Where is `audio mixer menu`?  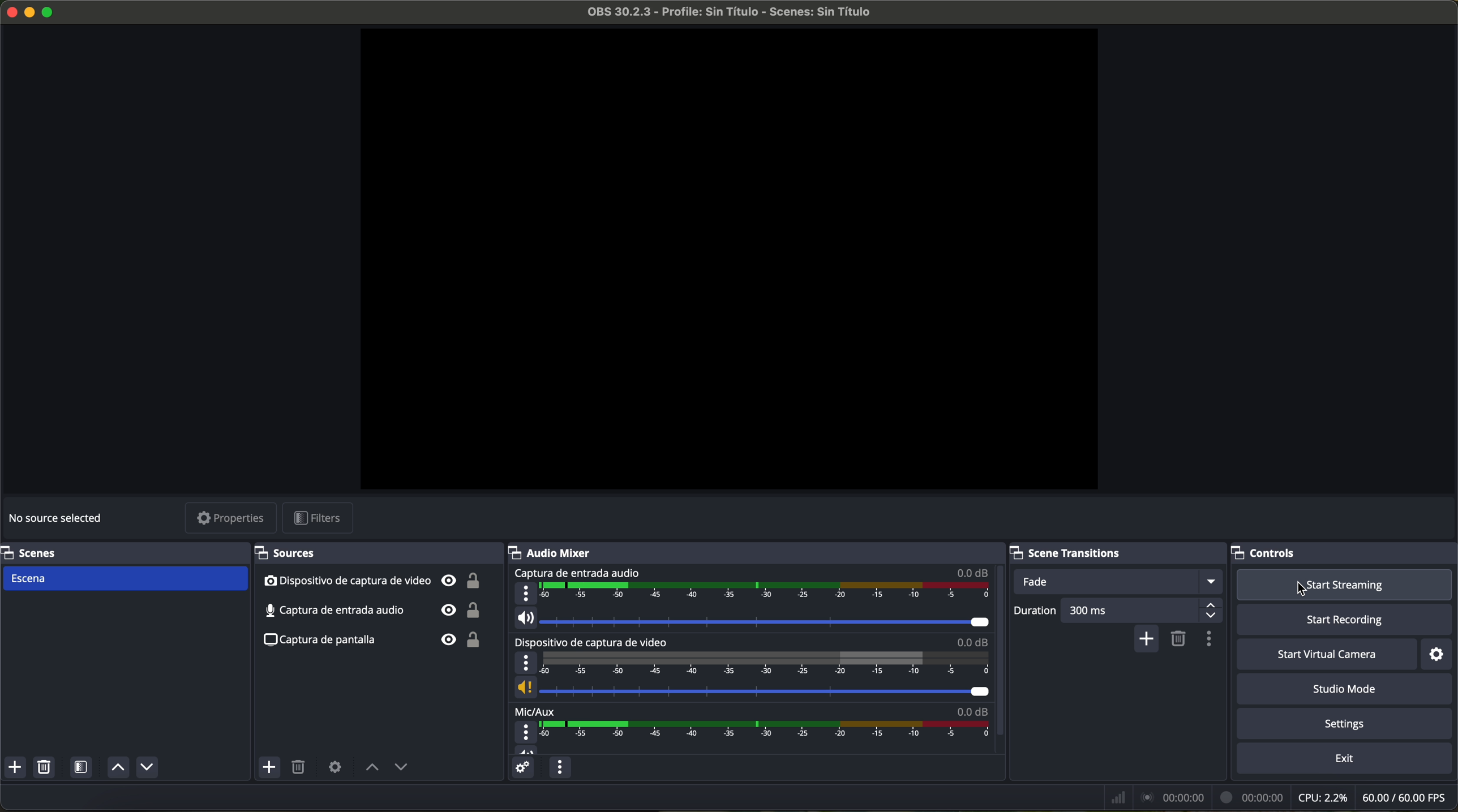
audio mixer menu is located at coordinates (558, 768).